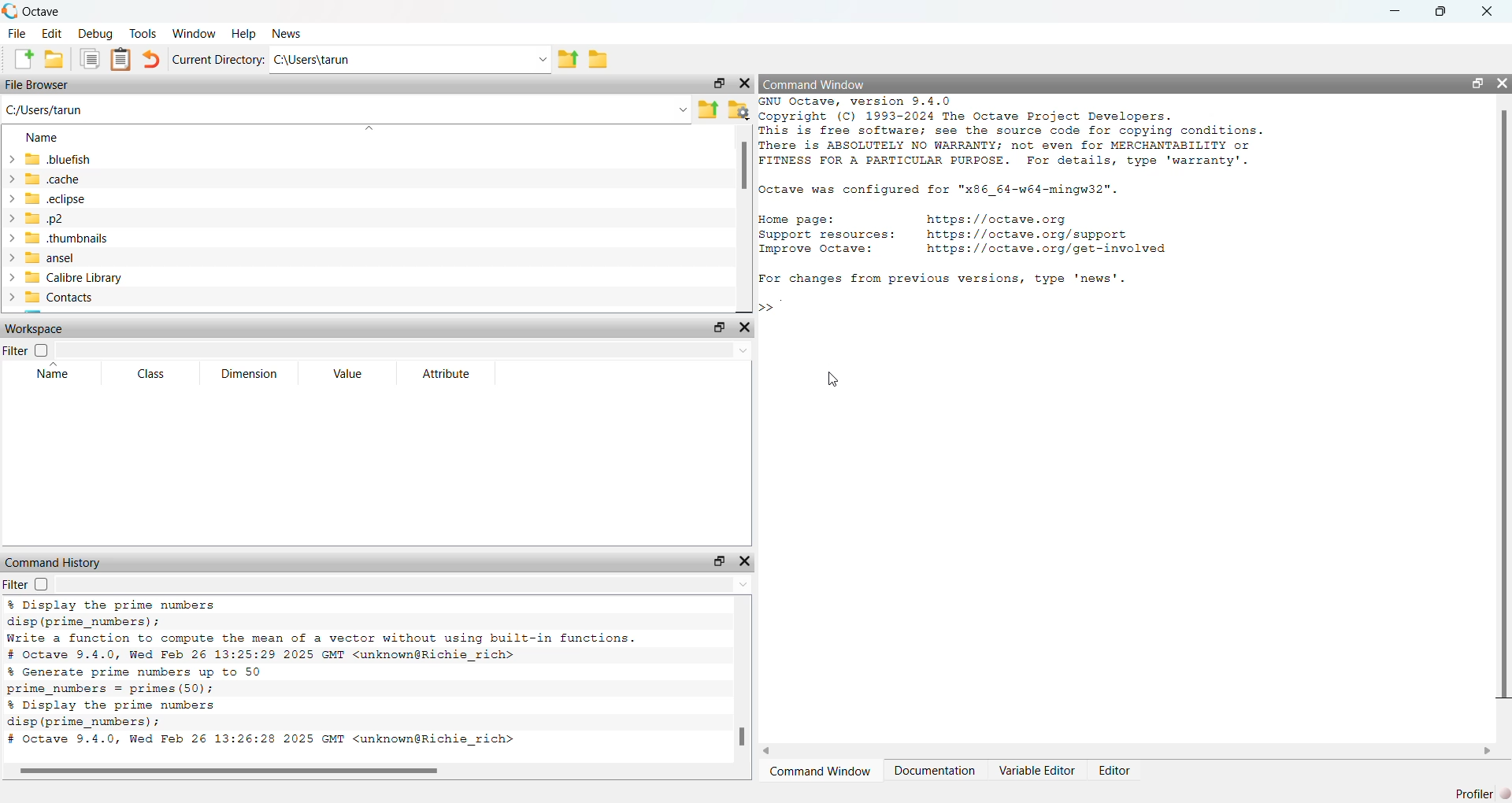  What do you see at coordinates (598, 61) in the screenshot?
I see `folder` at bounding box center [598, 61].